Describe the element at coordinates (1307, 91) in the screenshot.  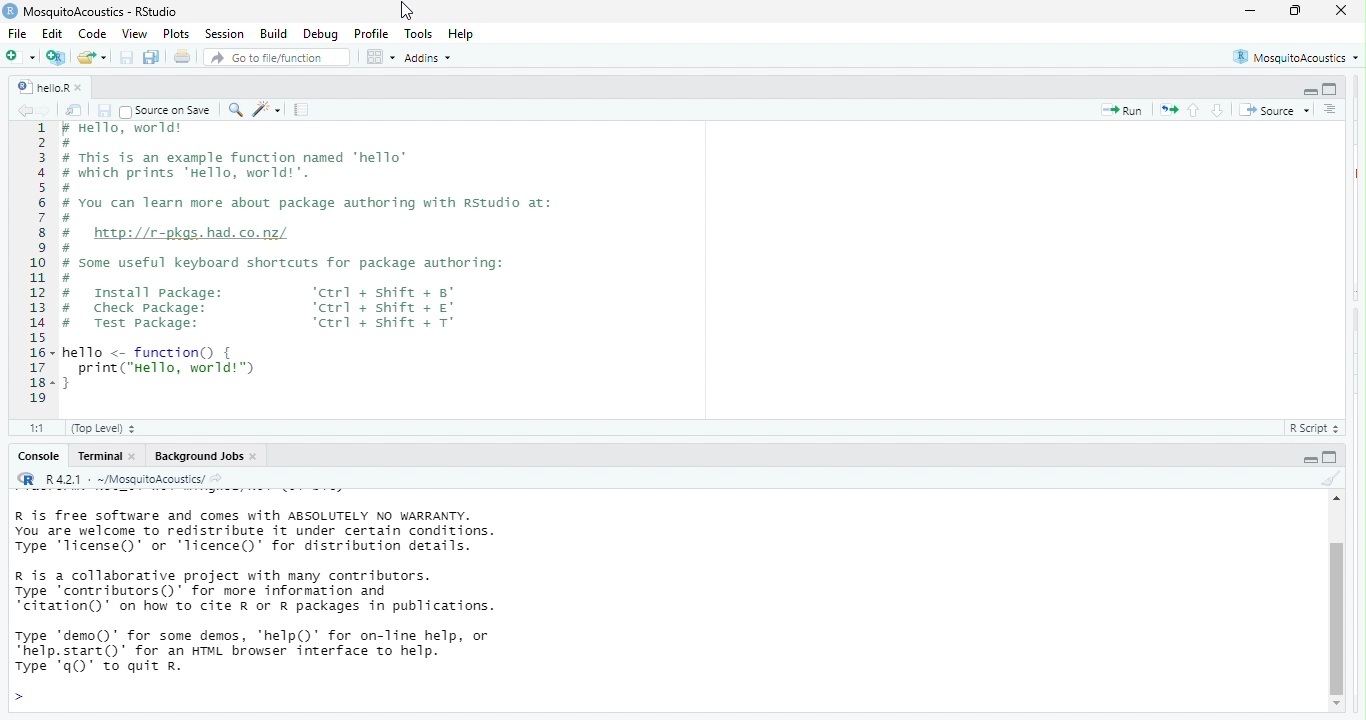
I see `hide r script` at that location.